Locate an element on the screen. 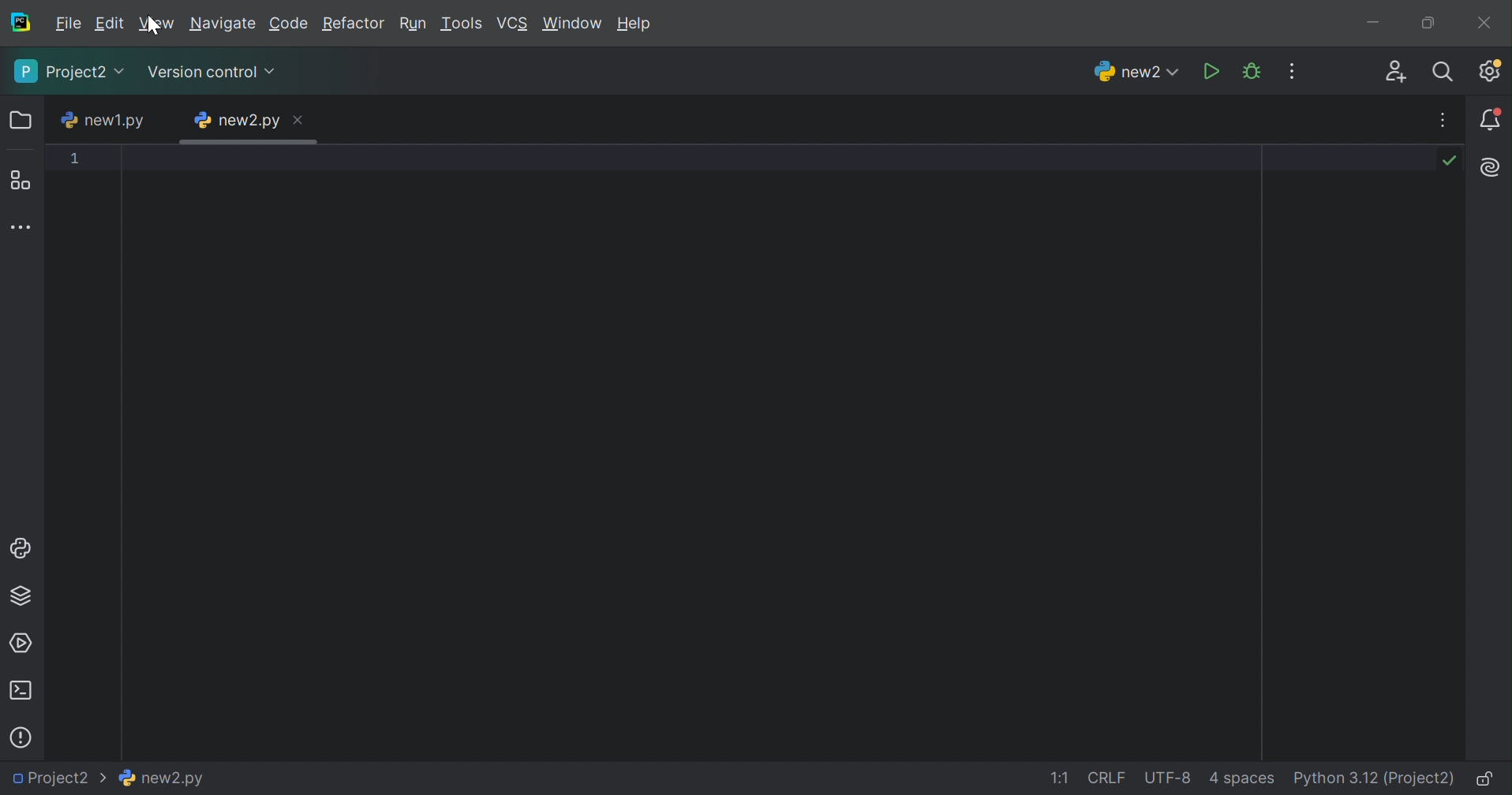  Python 3.12 (Project2) is located at coordinates (1372, 778).